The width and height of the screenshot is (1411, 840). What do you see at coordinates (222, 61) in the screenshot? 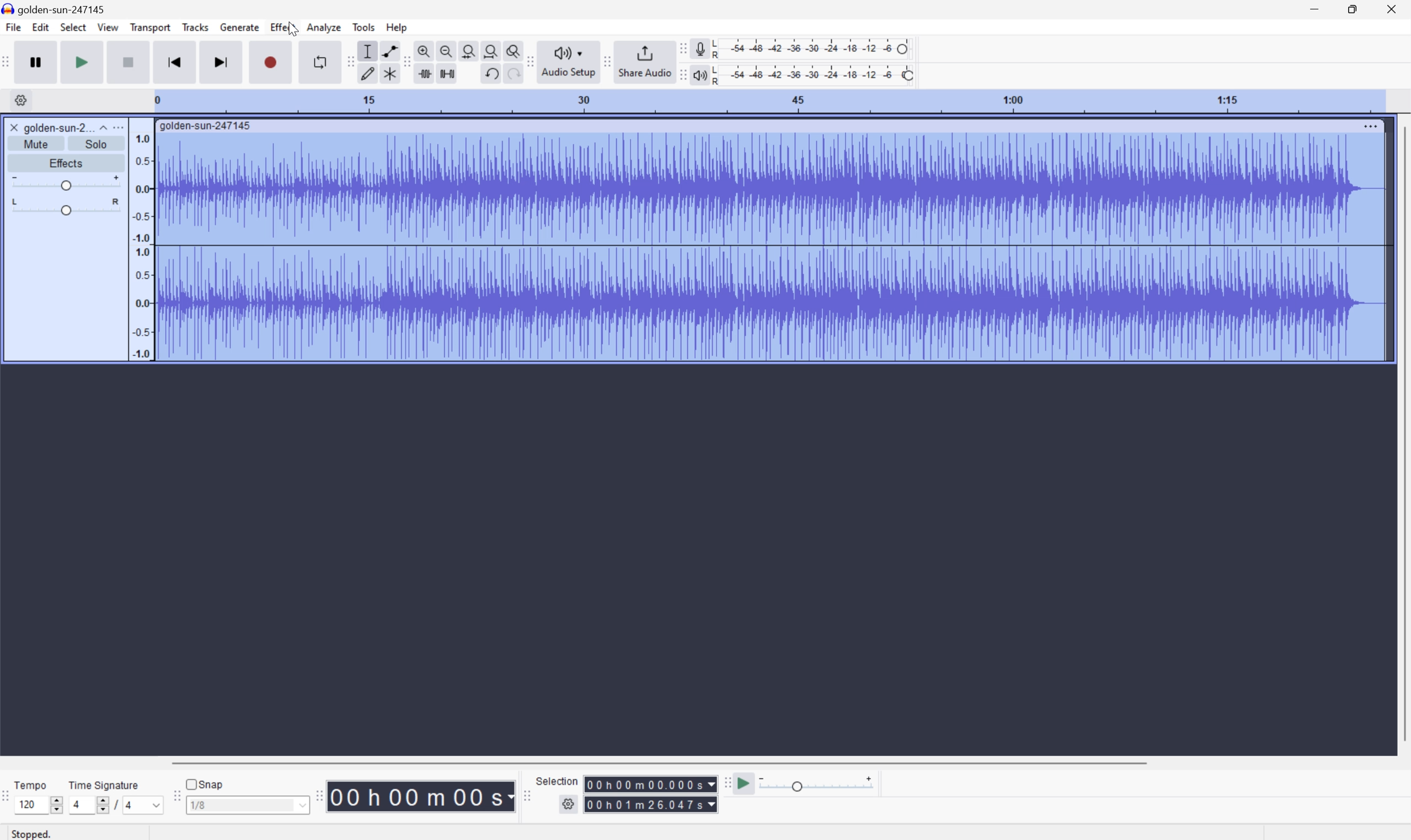
I see `Skip to end` at bounding box center [222, 61].